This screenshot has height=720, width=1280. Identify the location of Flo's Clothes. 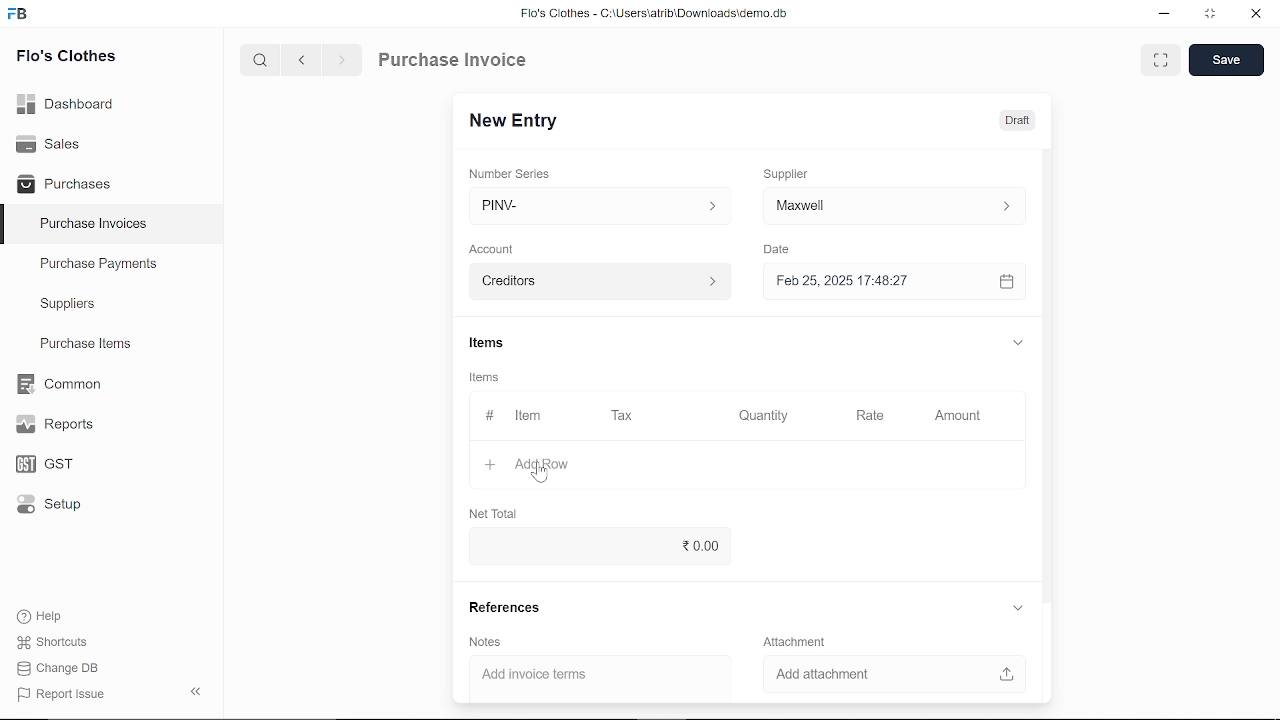
(66, 57).